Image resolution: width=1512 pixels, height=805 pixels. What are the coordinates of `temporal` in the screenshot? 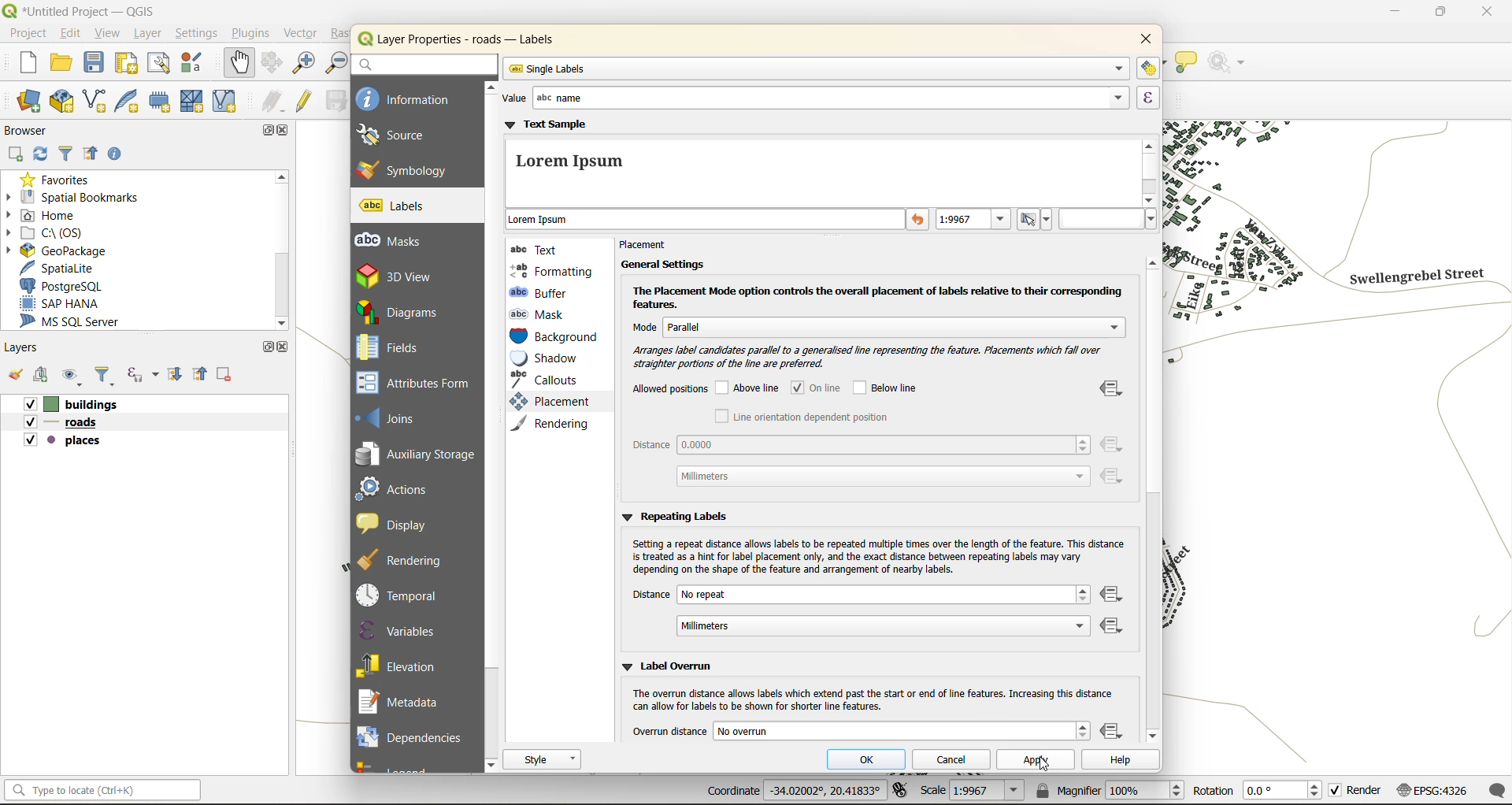 It's located at (402, 595).